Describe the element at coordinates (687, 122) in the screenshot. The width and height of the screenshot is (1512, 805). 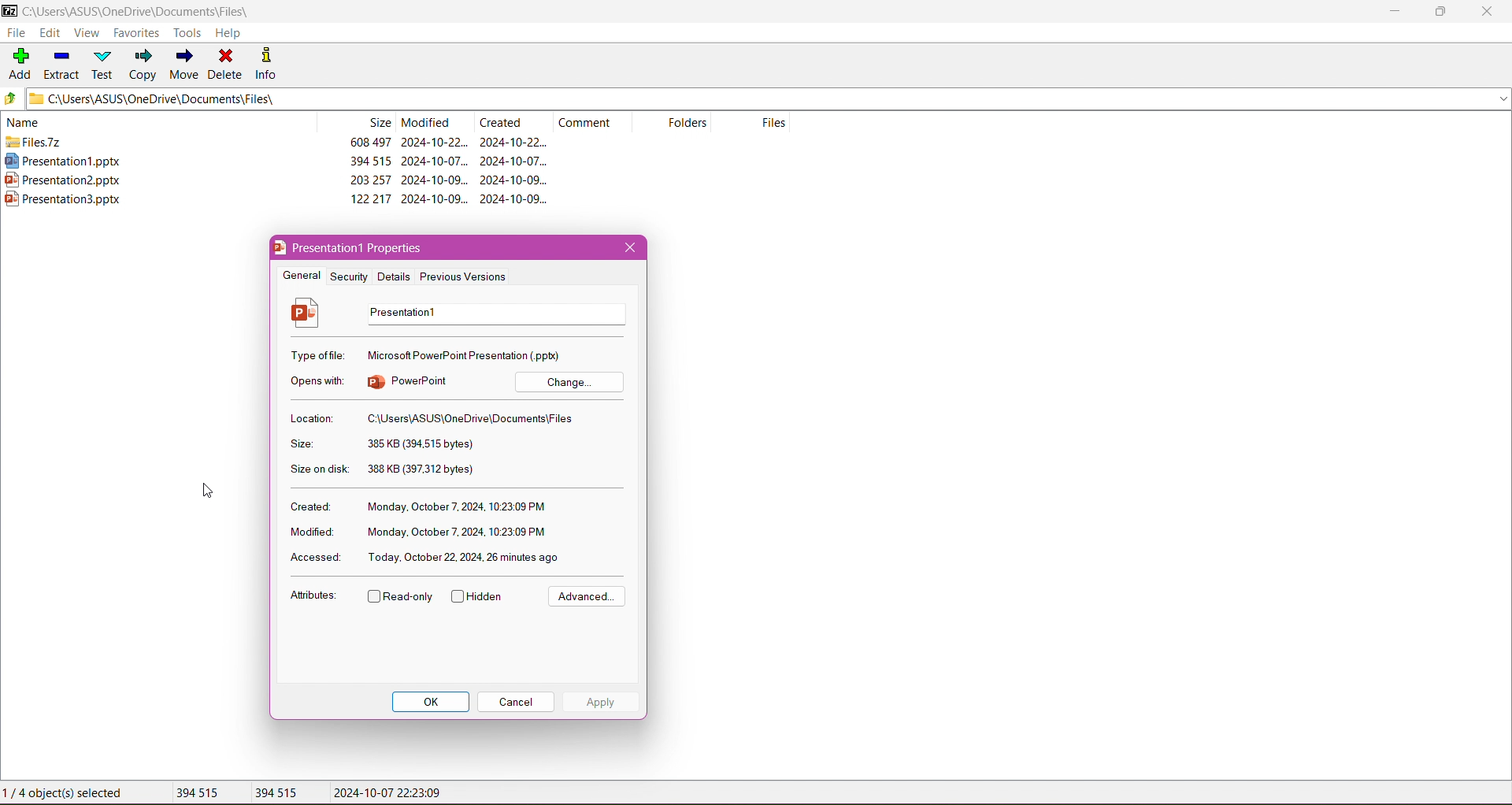
I see `folders` at that location.